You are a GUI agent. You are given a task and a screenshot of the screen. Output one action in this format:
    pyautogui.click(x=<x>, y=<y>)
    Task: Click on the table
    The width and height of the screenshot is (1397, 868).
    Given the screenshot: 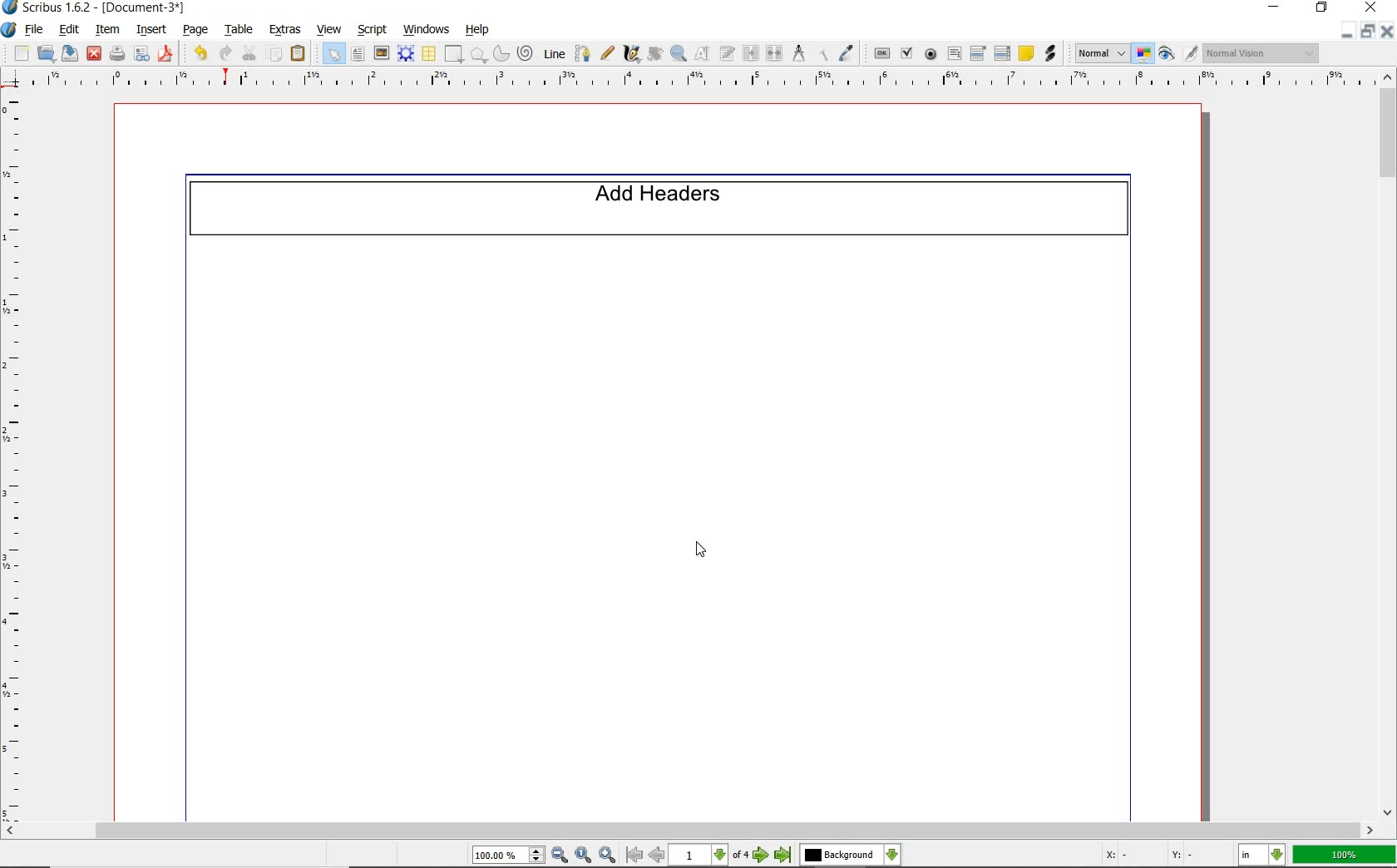 What is the action you would take?
    pyautogui.click(x=429, y=52)
    